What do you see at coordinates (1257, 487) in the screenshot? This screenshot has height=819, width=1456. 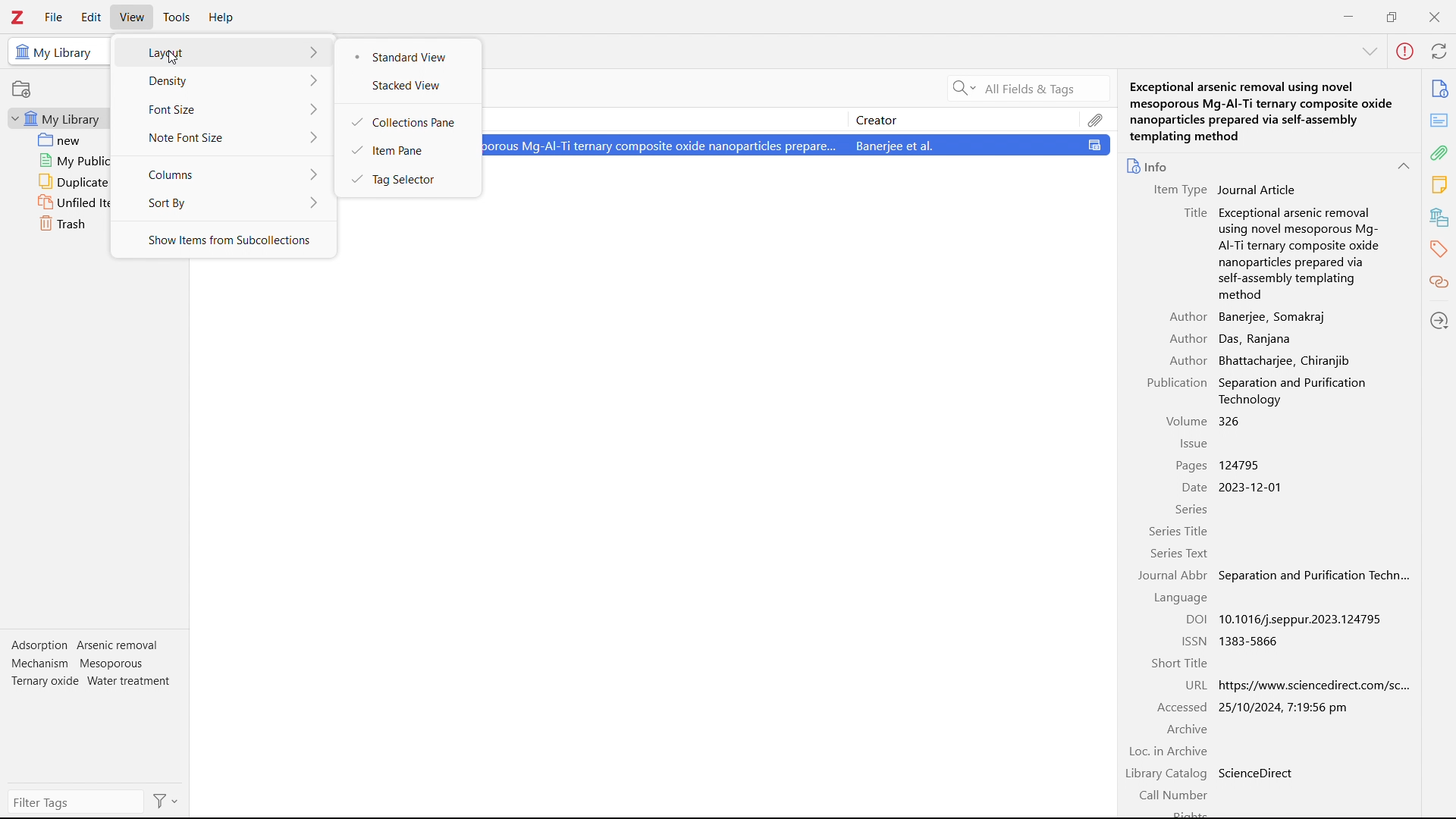 I see `2023-12-01` at bounding box center [1257, 487].